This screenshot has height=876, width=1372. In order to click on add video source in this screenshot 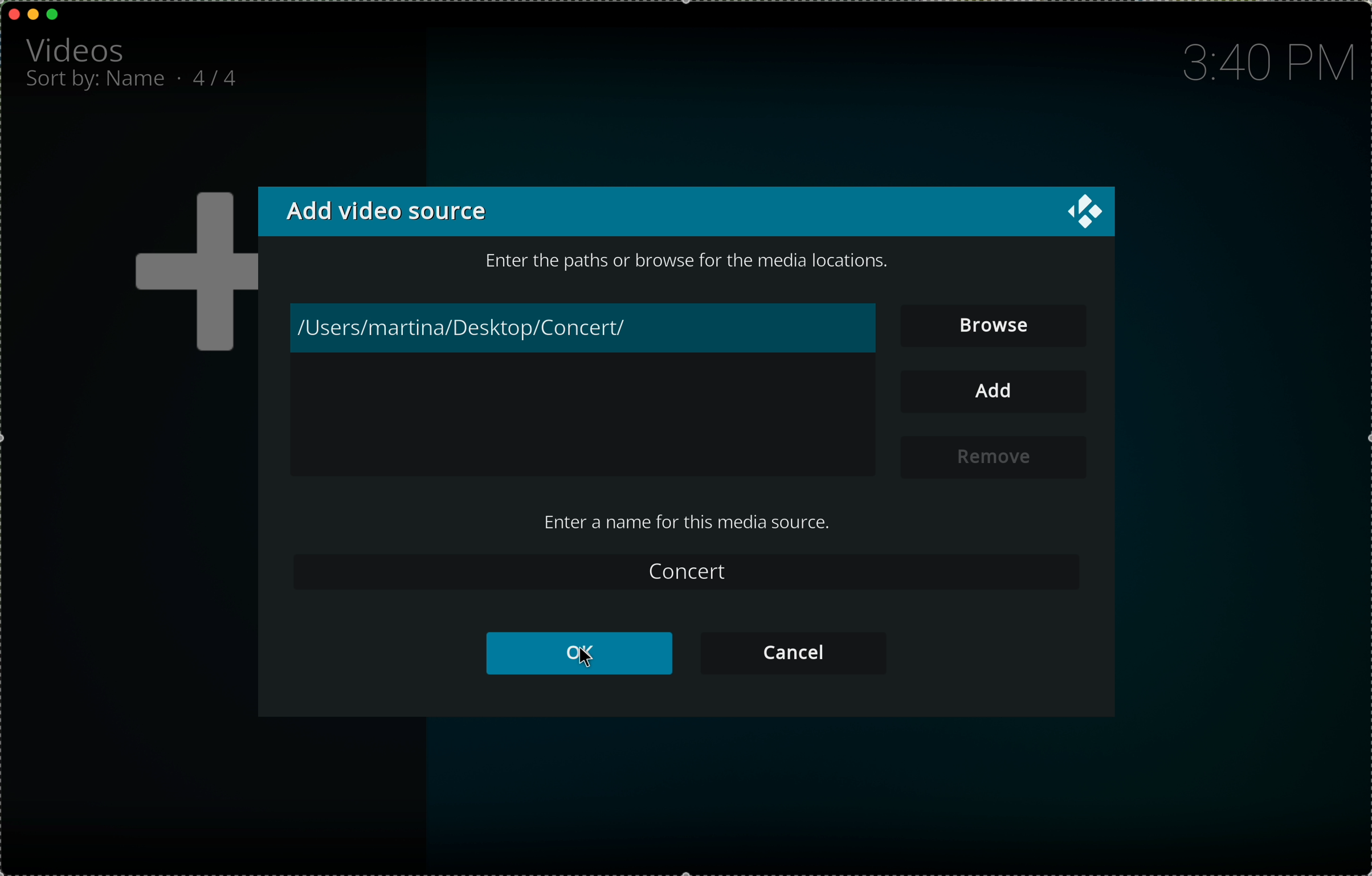, I will do `click(384, 210)`.